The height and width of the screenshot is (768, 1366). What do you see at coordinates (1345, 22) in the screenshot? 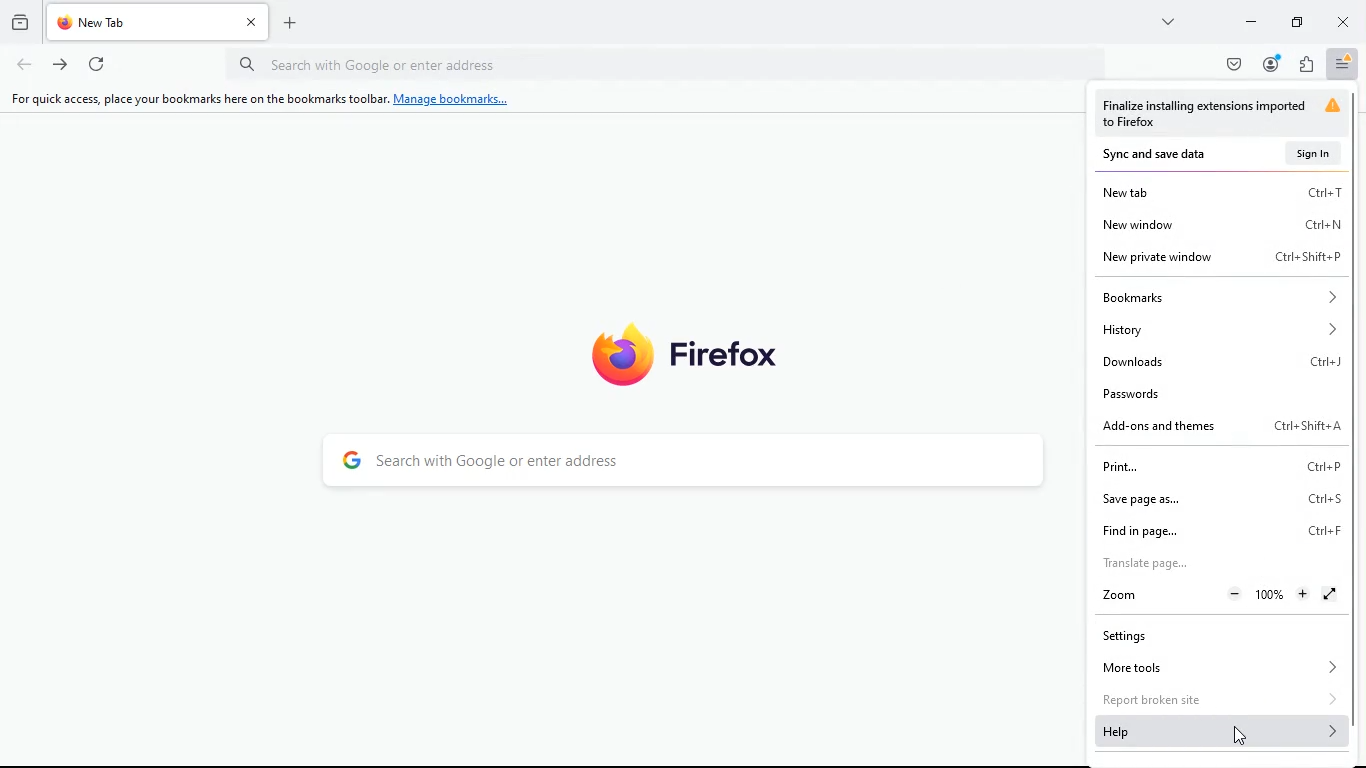
I see `close` at bounding box center [1345, 22].